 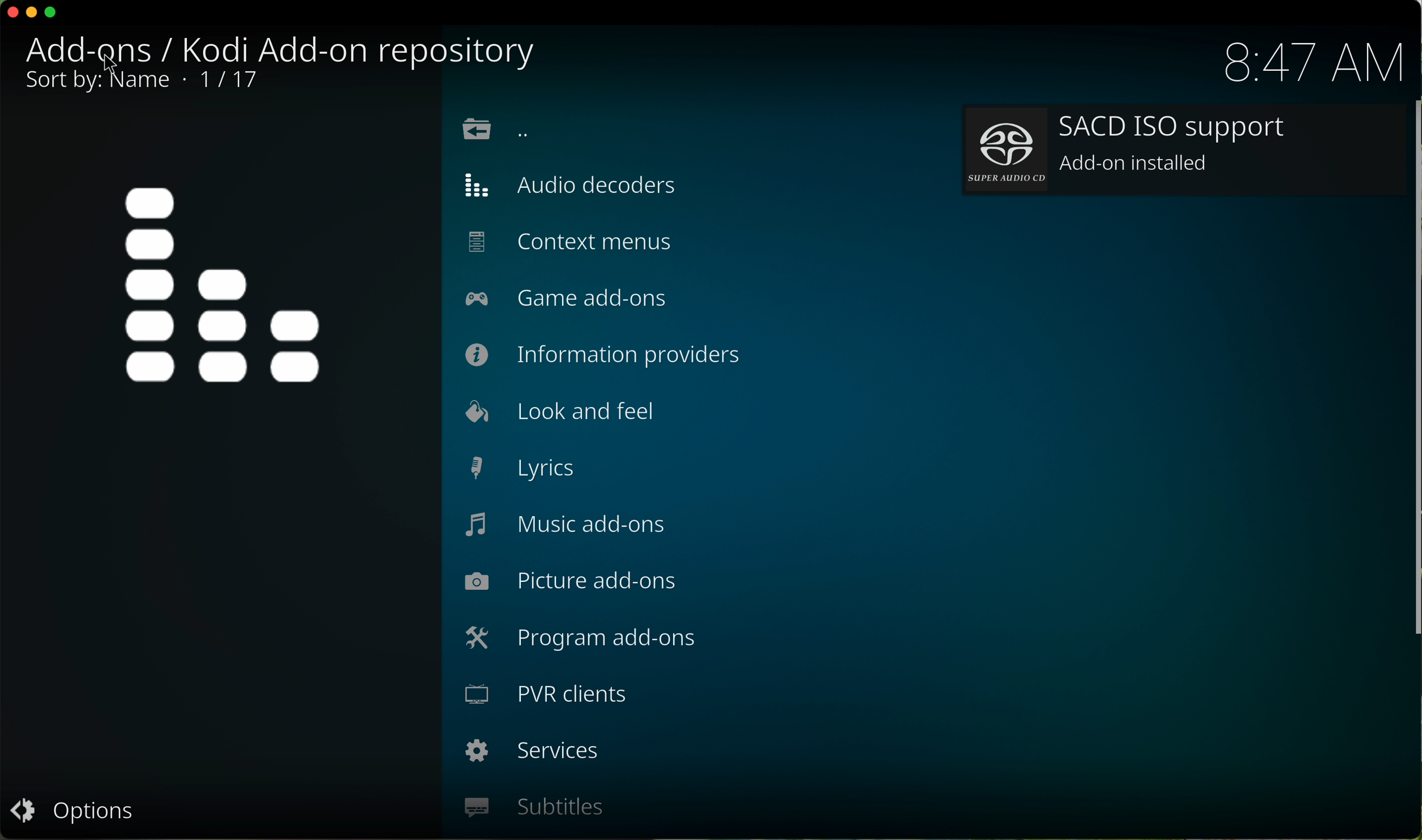 I want to click on services, so click(x=529, y=752).